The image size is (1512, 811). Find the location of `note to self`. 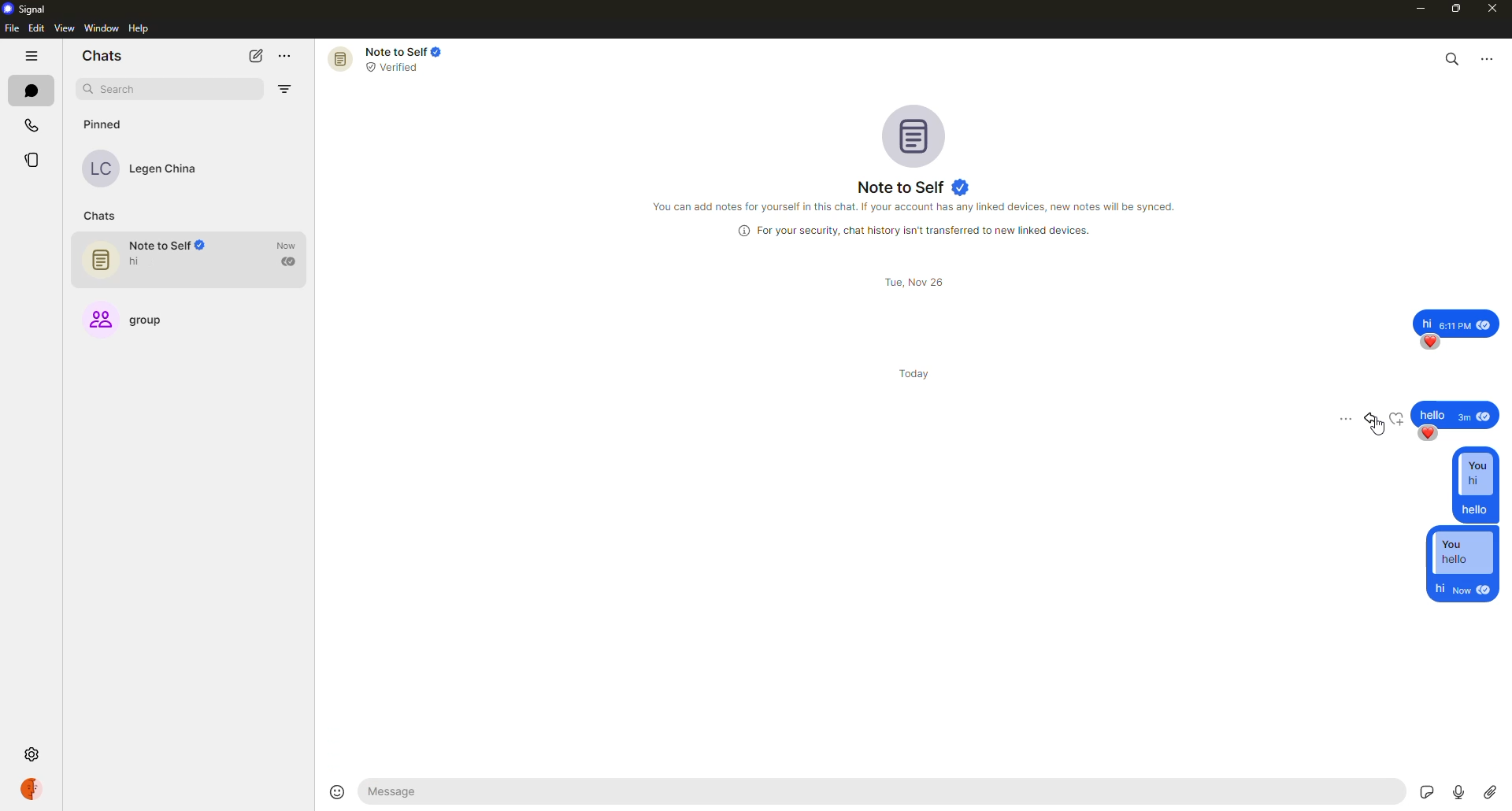

note to self is located at coordinates (196, 261).